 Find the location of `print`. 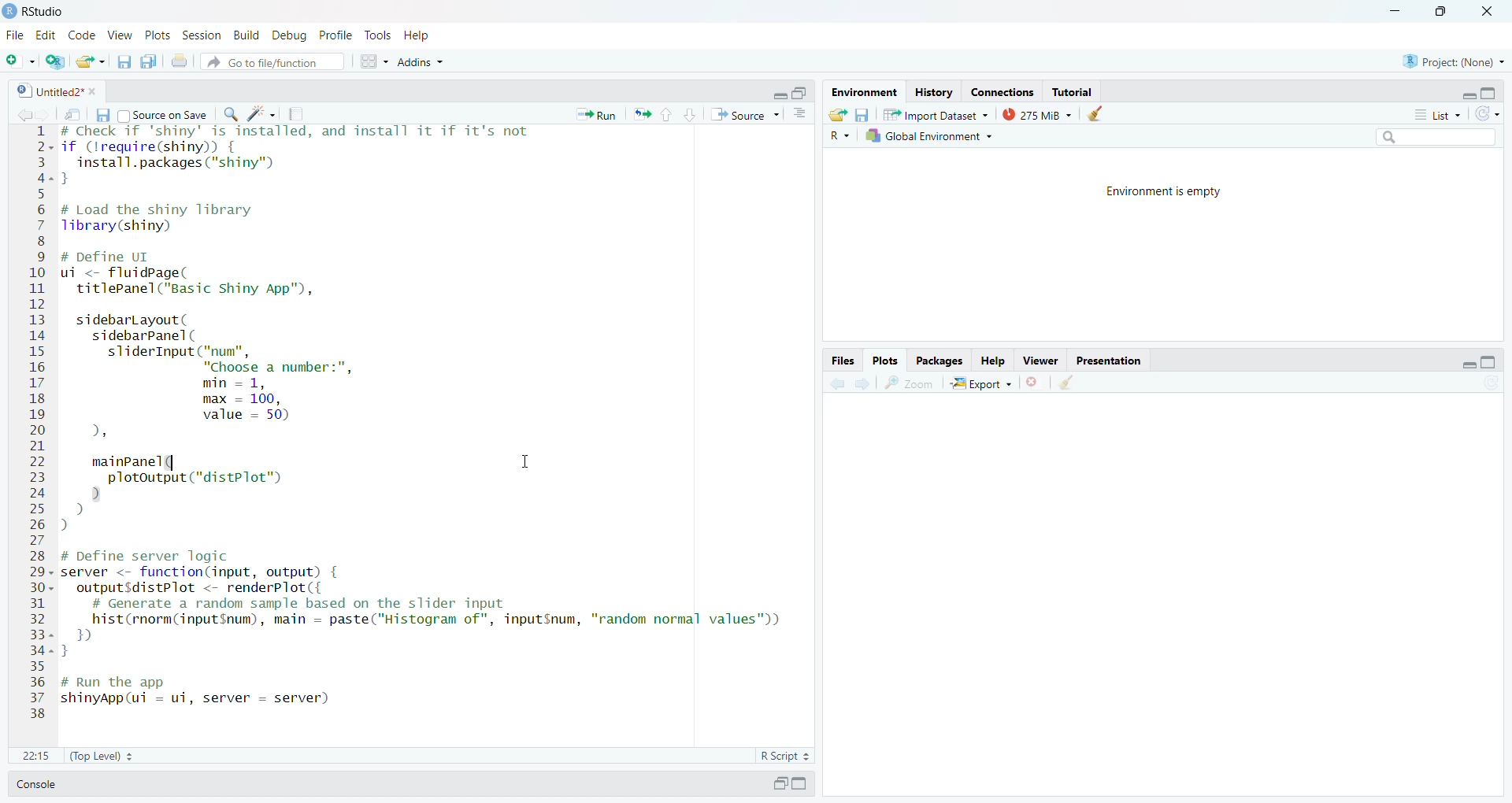

print is located at coordinates (179, 60).